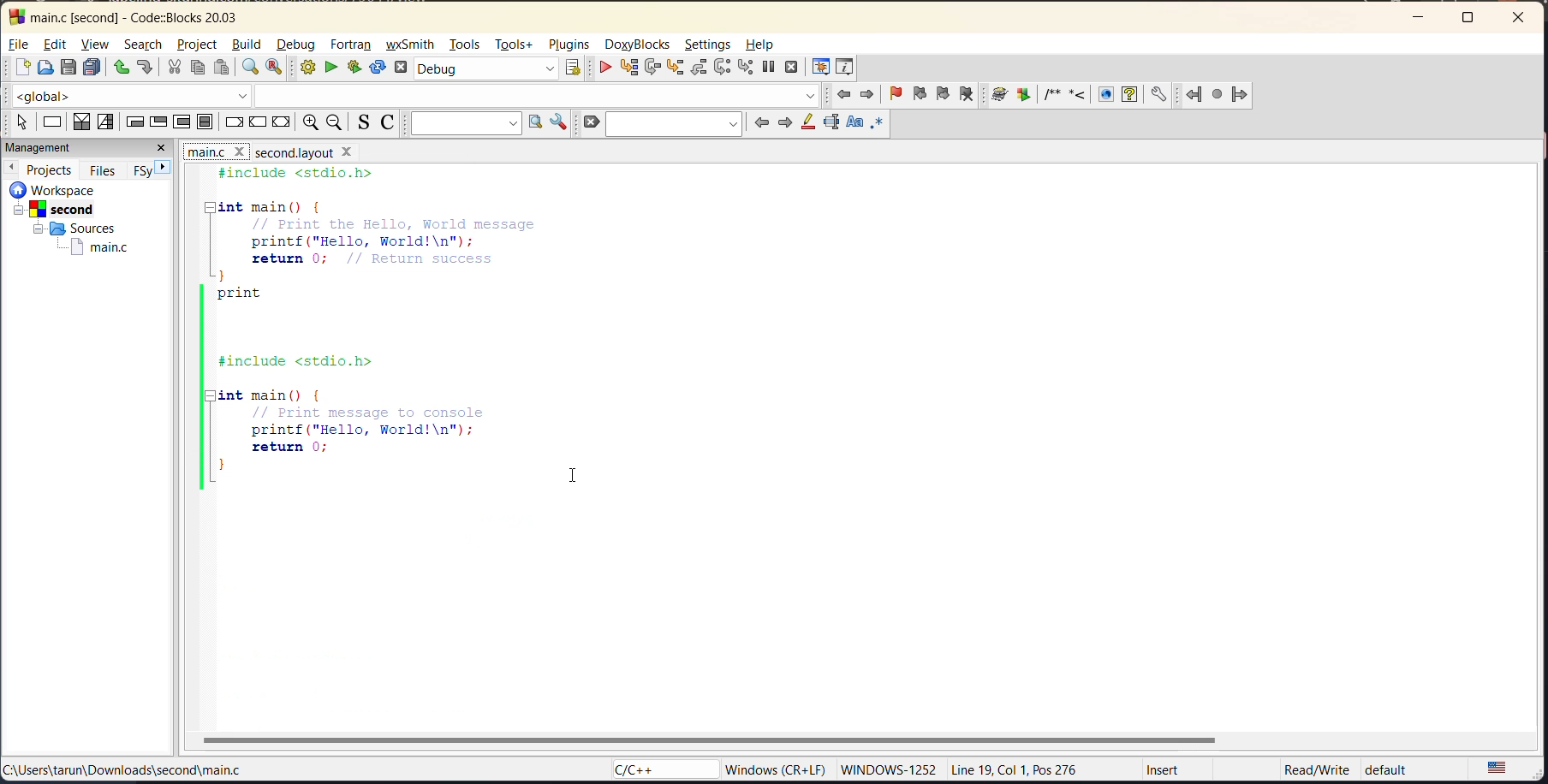  I want to click on debug/continue, so click(604, 69).